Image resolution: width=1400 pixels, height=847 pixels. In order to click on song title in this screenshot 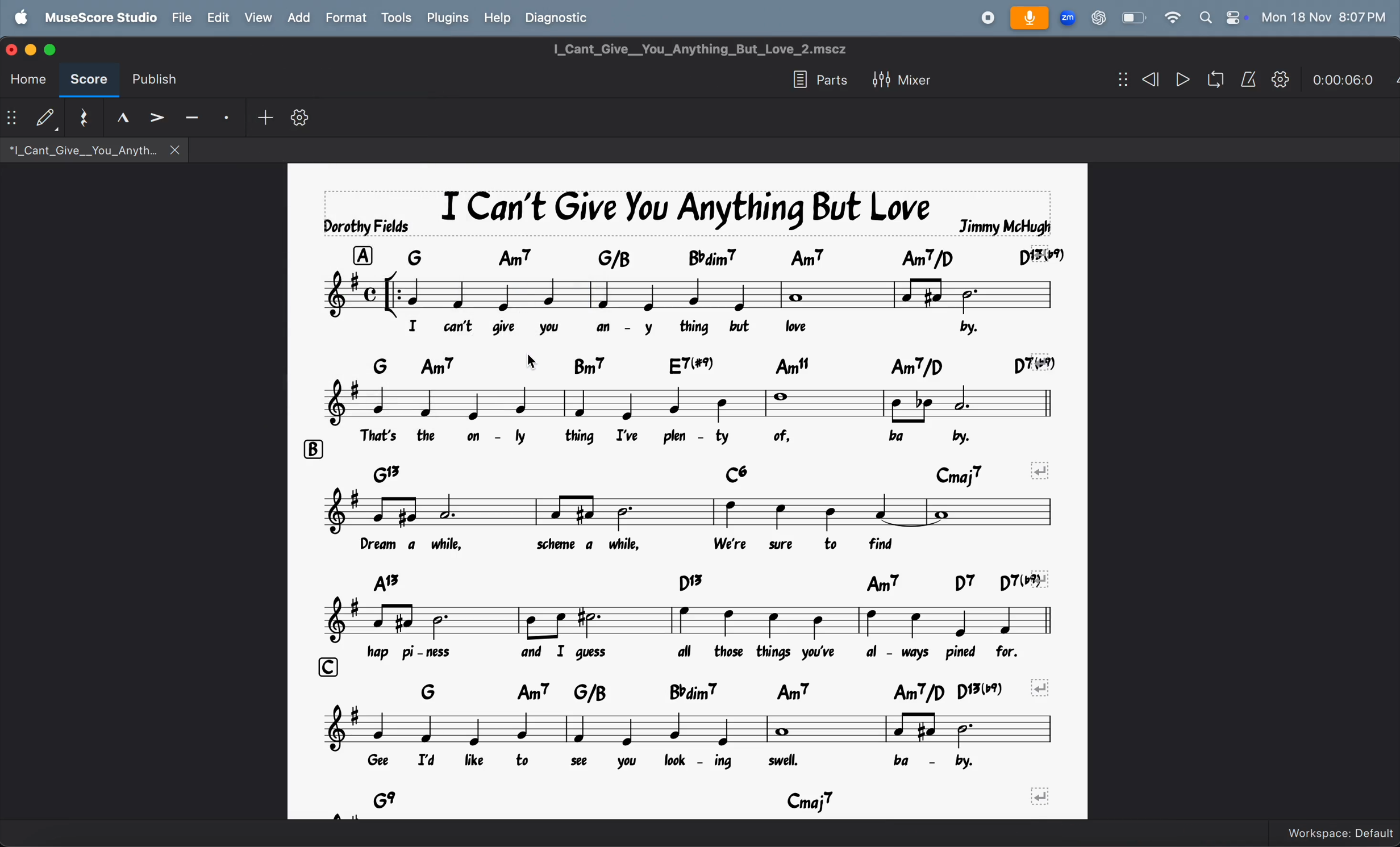, I will do `click(684, 212)`.